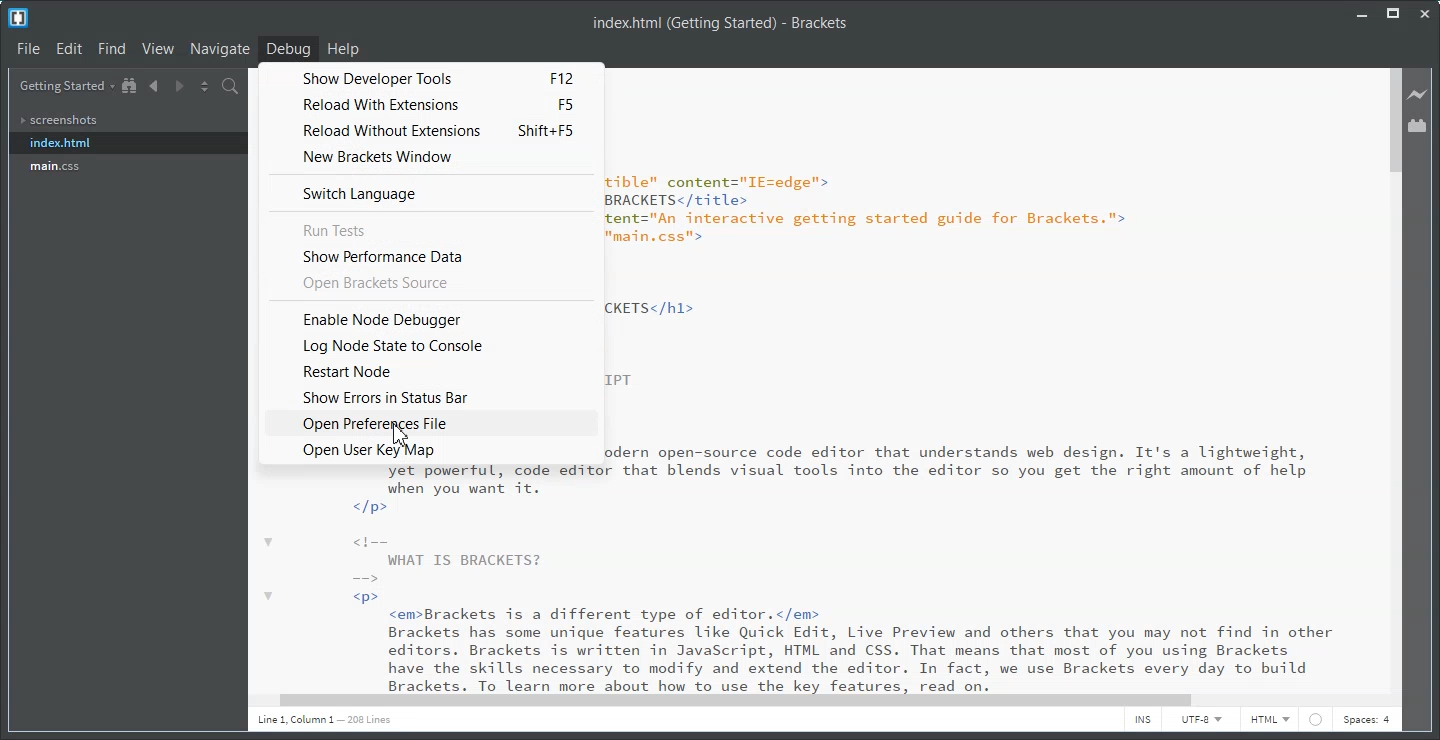 The width and height of the screenshot is (1440, 740). What do you see at coordinates (344, 48) in the screenshot?
I see `Help` at bounding box center [344, 48].